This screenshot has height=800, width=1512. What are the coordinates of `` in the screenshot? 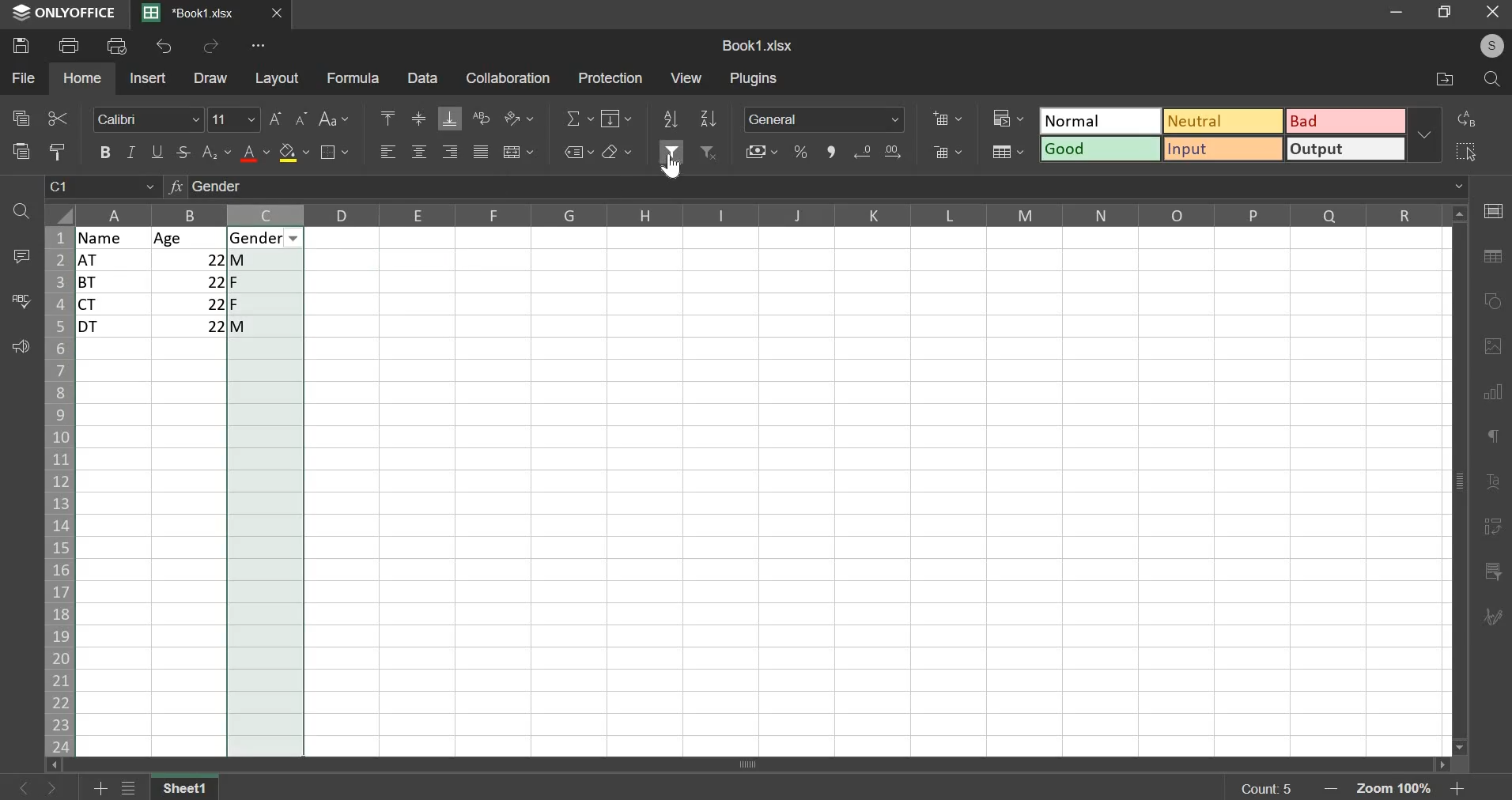 It's located at (80, 78).